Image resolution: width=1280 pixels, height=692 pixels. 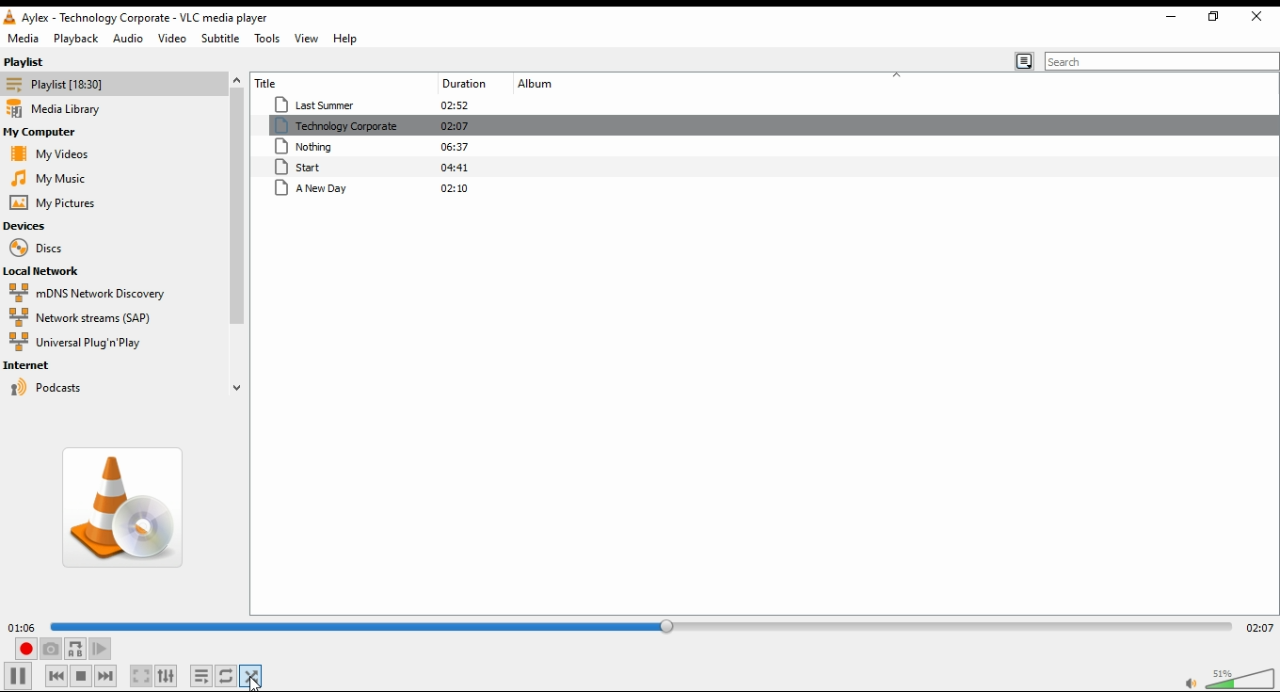 I want to click on mute/unmute, so click(x=1192, y=683).